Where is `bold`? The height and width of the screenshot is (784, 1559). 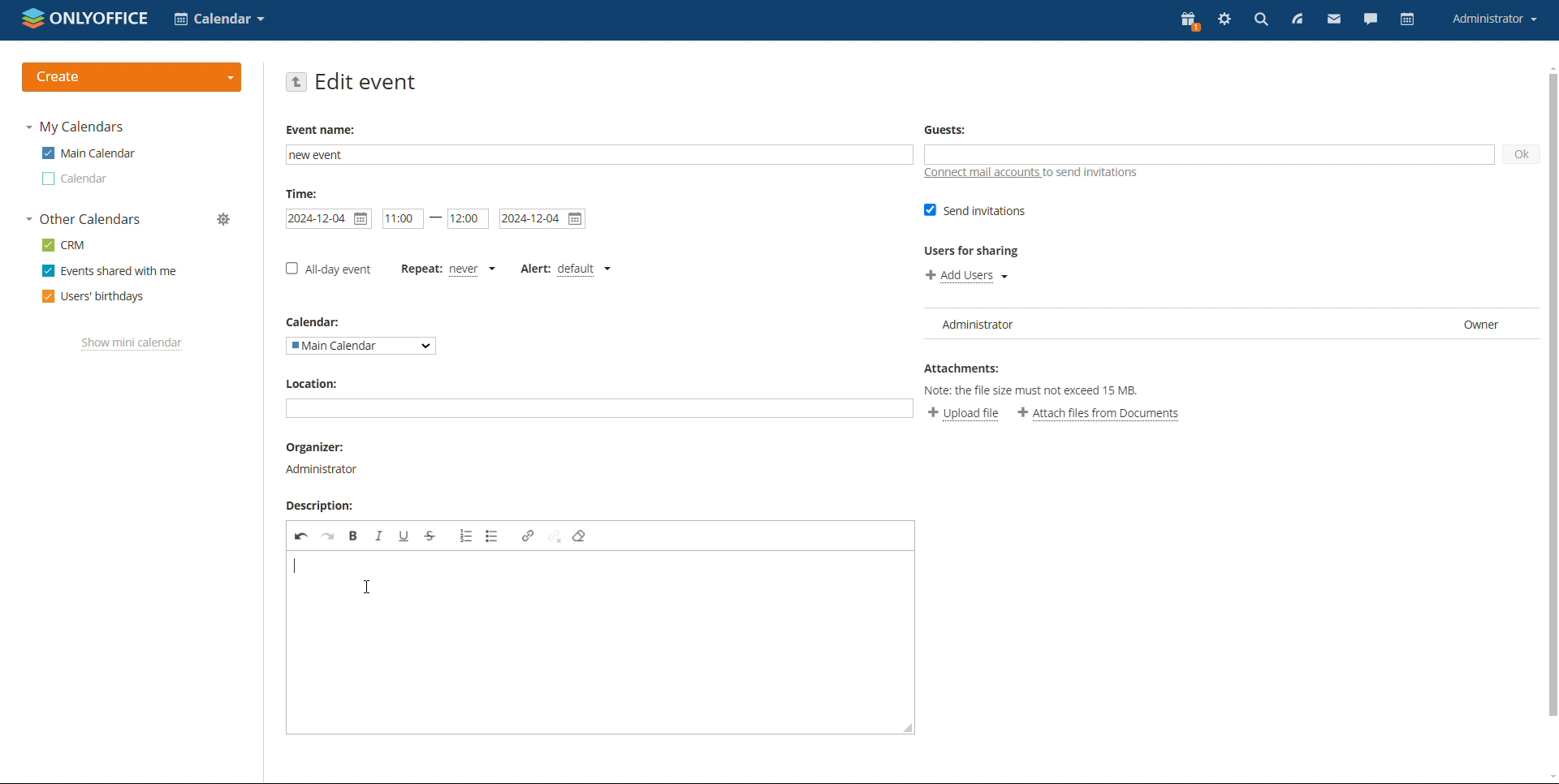
bold is located at coordinates (354, 536).